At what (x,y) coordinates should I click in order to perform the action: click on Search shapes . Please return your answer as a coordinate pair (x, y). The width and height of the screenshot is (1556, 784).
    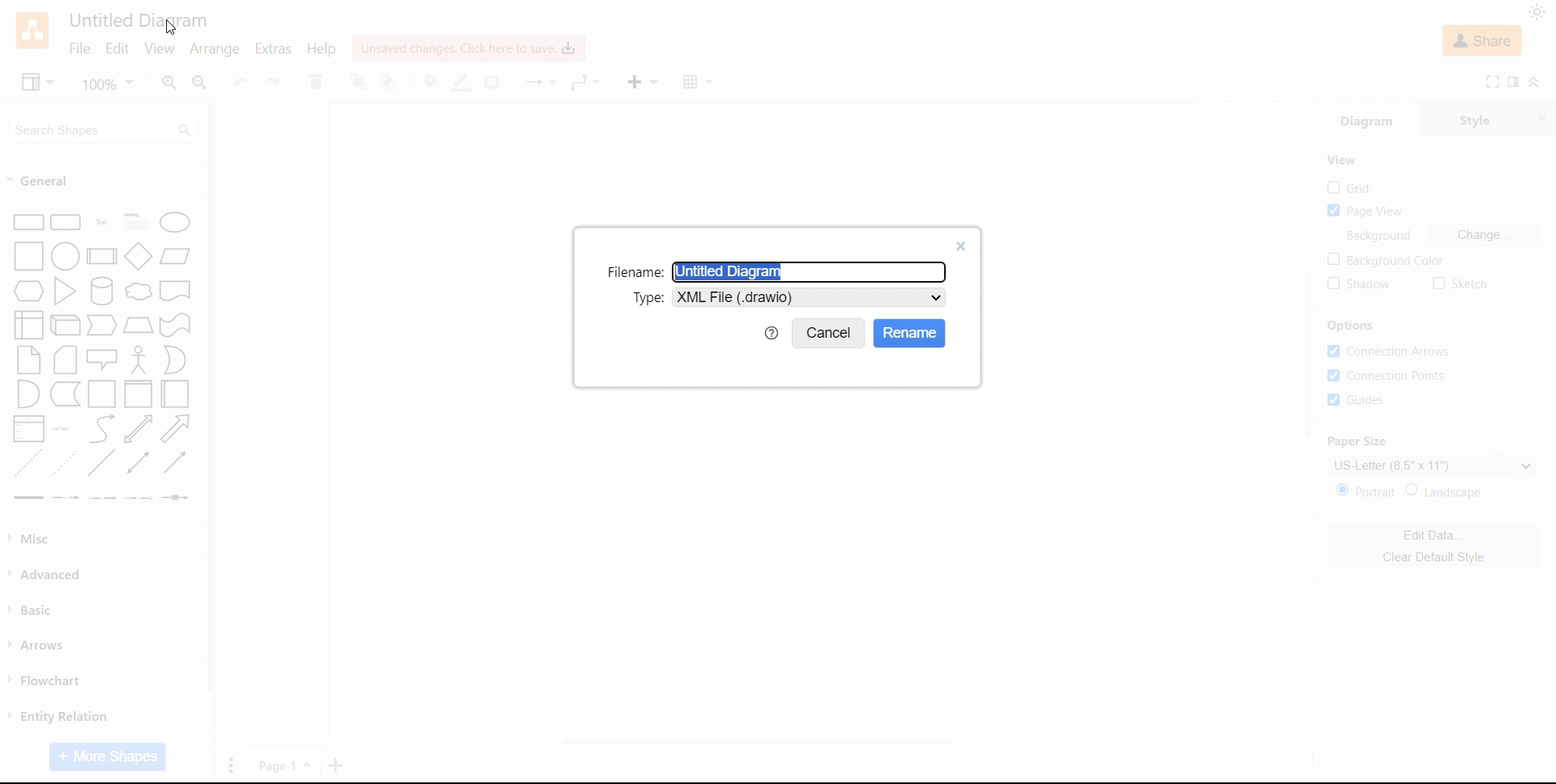
    Looking at the image, I should click on (104, 129).